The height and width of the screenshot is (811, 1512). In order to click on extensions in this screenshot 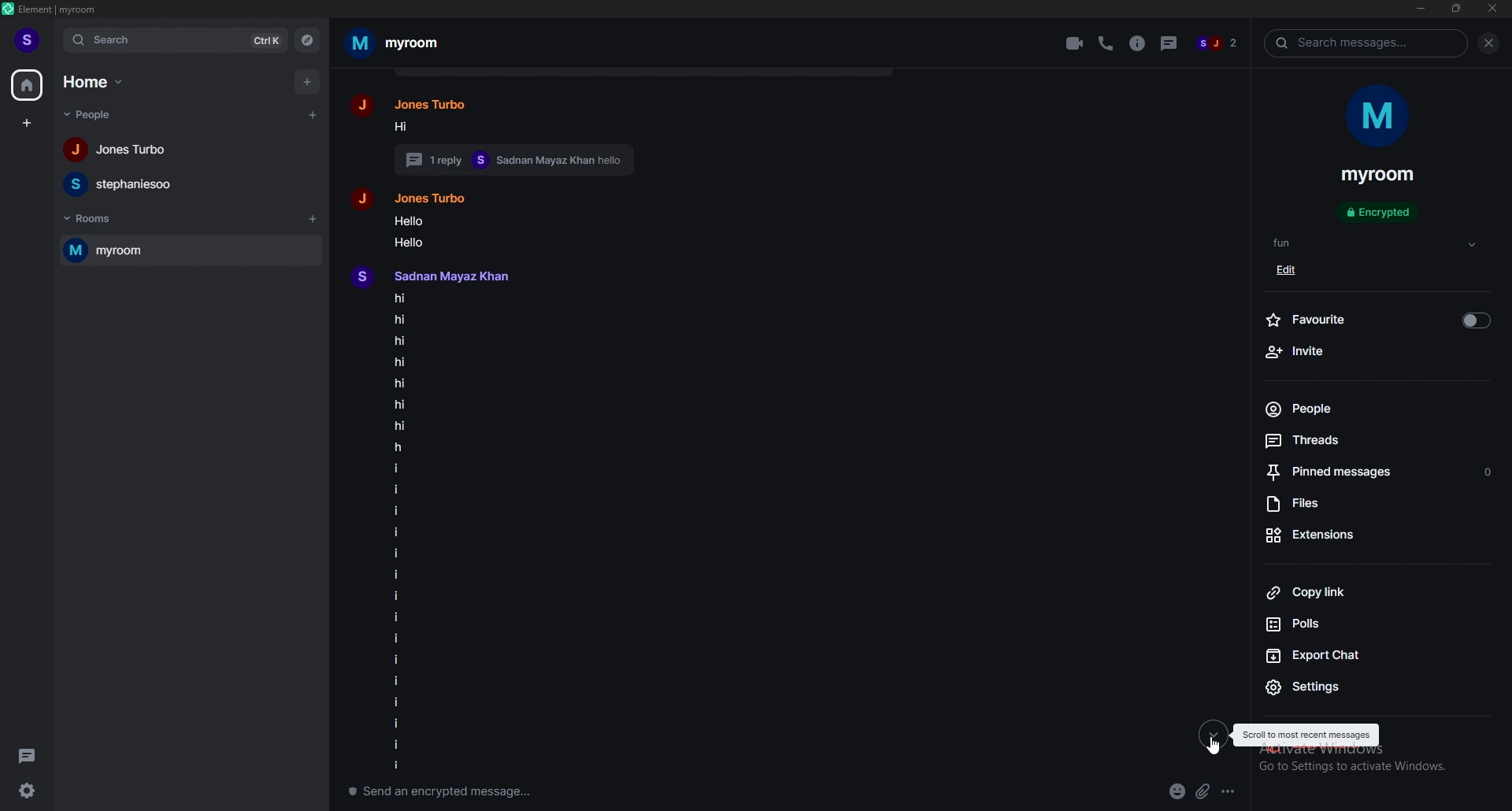, I will do `click(1354, 536)`.